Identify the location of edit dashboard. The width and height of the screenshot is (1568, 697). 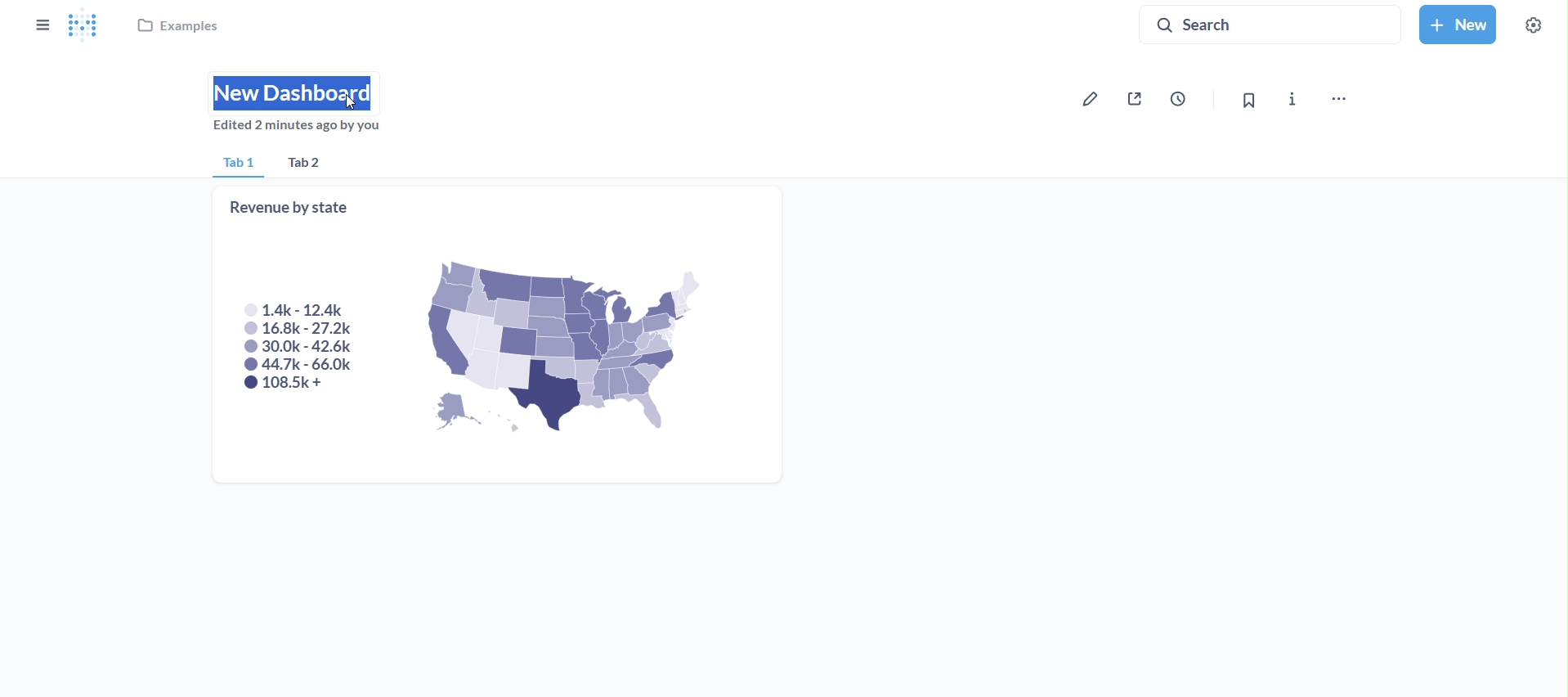
(1092, 98).